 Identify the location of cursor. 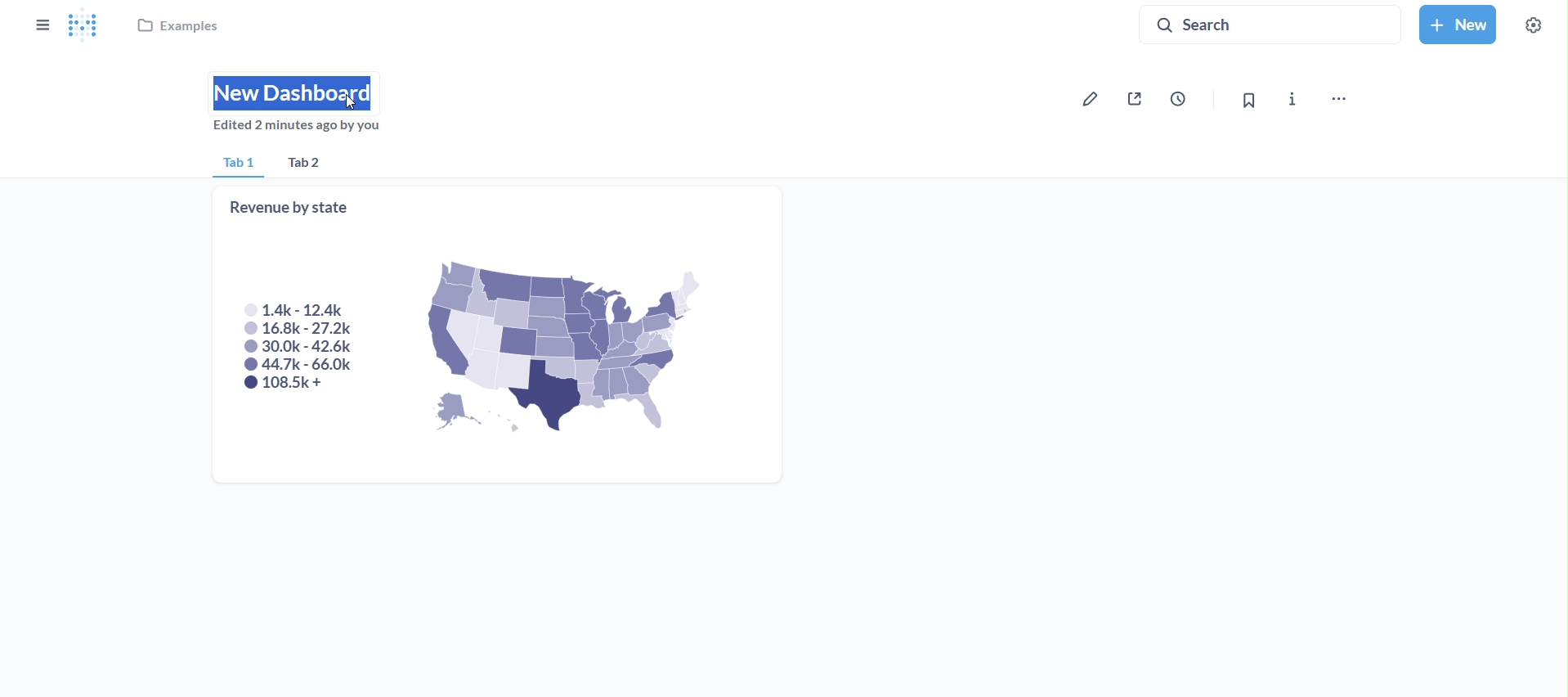
(352, 101).